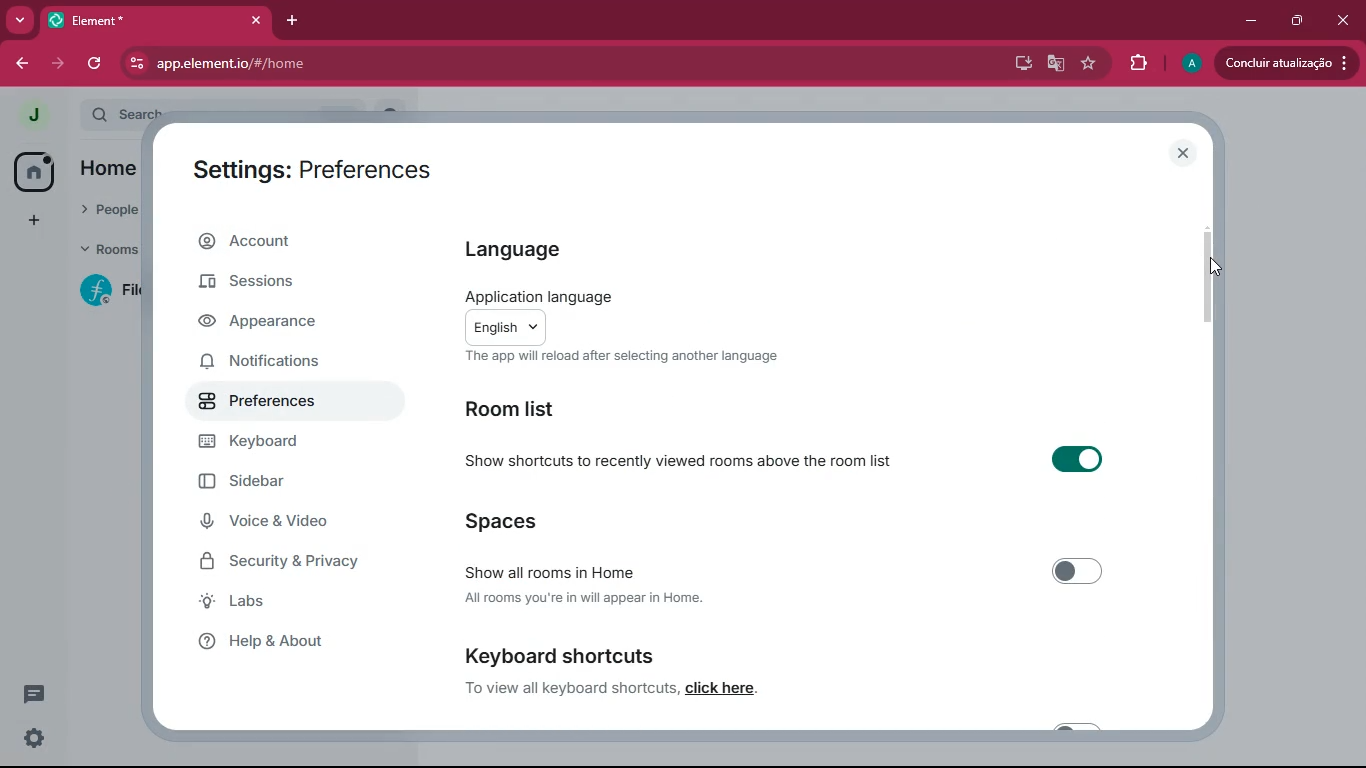 The height and width of the screenshot is (768, 1366). I want to click on maximize, so click(1297, 20).